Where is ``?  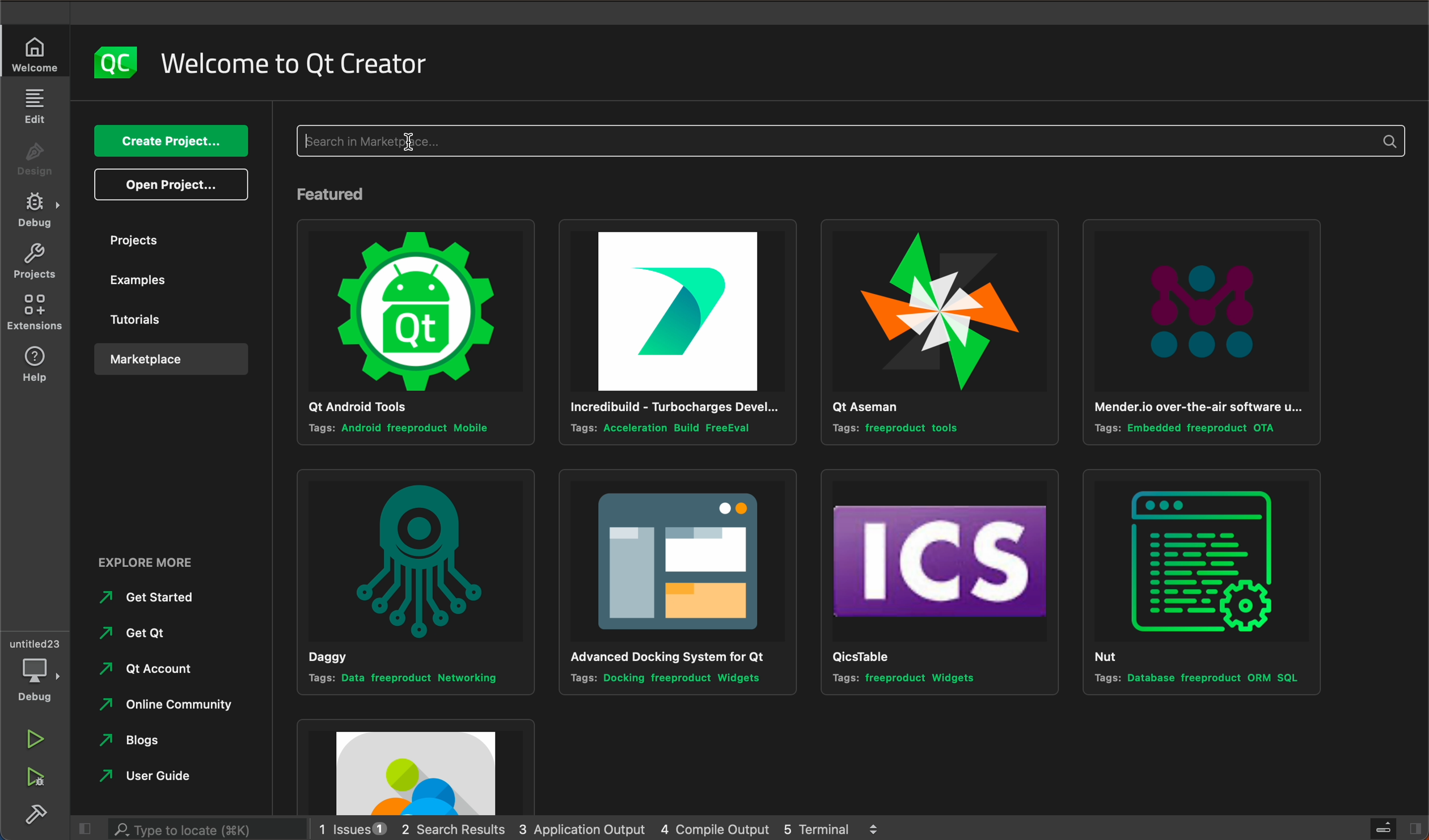  is located at coordinates (163, 775).